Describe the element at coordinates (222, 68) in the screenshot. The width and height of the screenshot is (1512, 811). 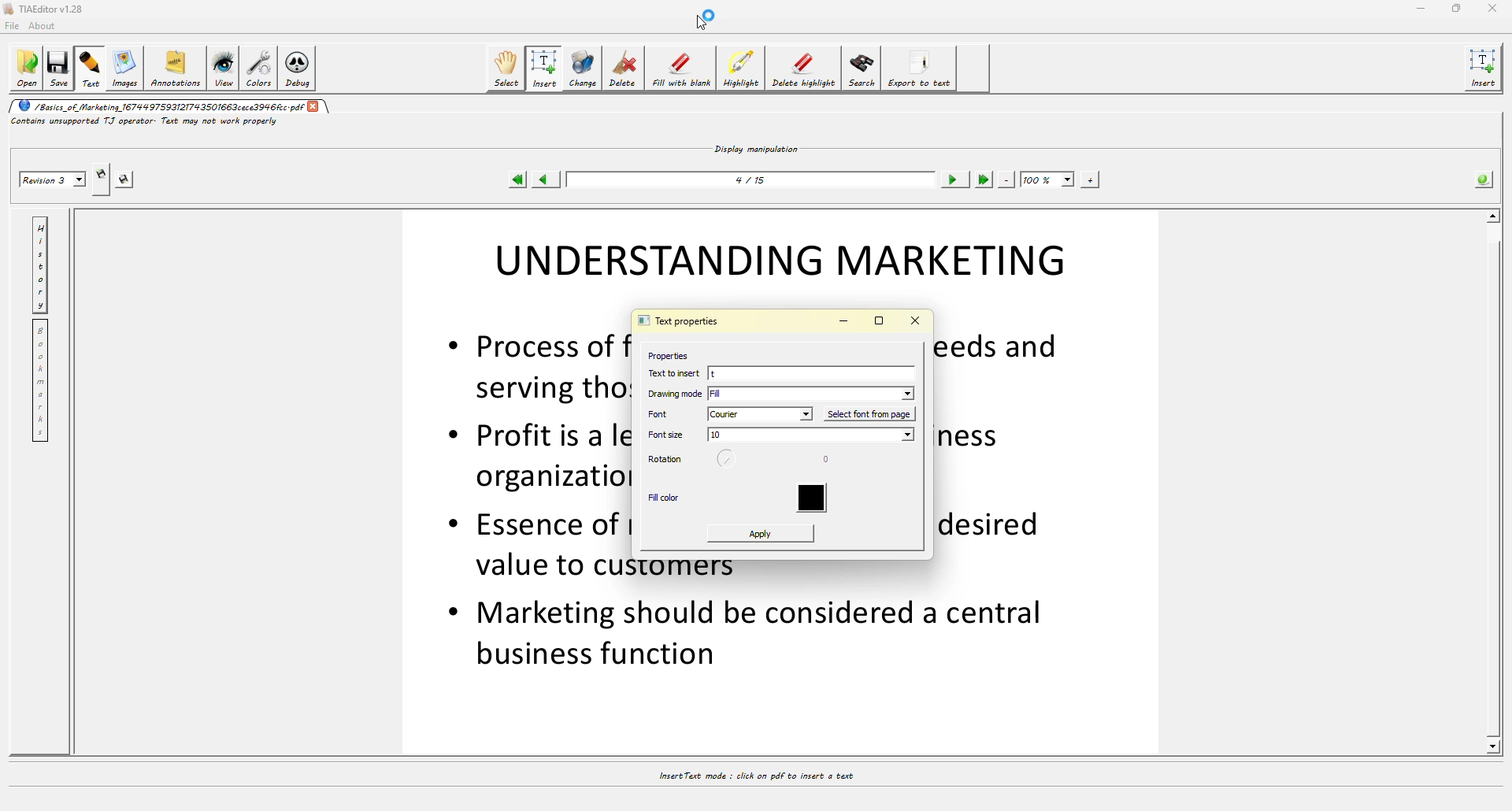
I see `view` at that location.